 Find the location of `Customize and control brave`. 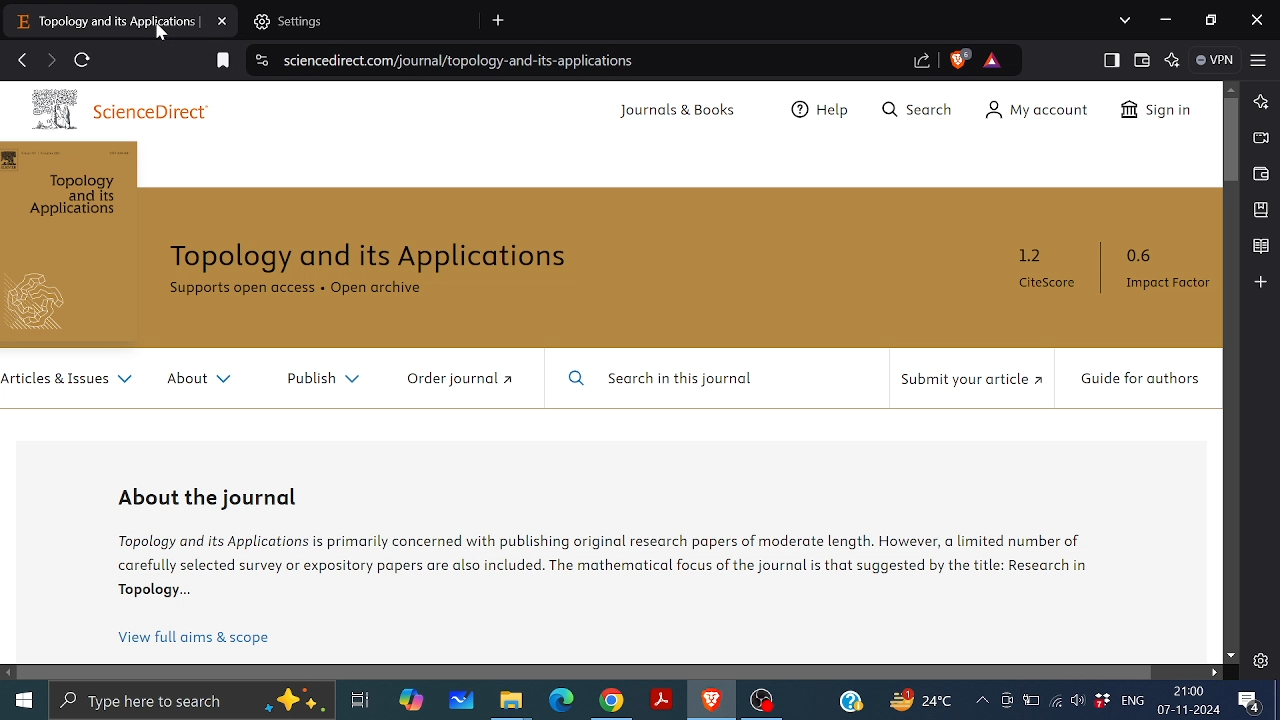

Customize and control brave is located at coordinates (1258, 58).